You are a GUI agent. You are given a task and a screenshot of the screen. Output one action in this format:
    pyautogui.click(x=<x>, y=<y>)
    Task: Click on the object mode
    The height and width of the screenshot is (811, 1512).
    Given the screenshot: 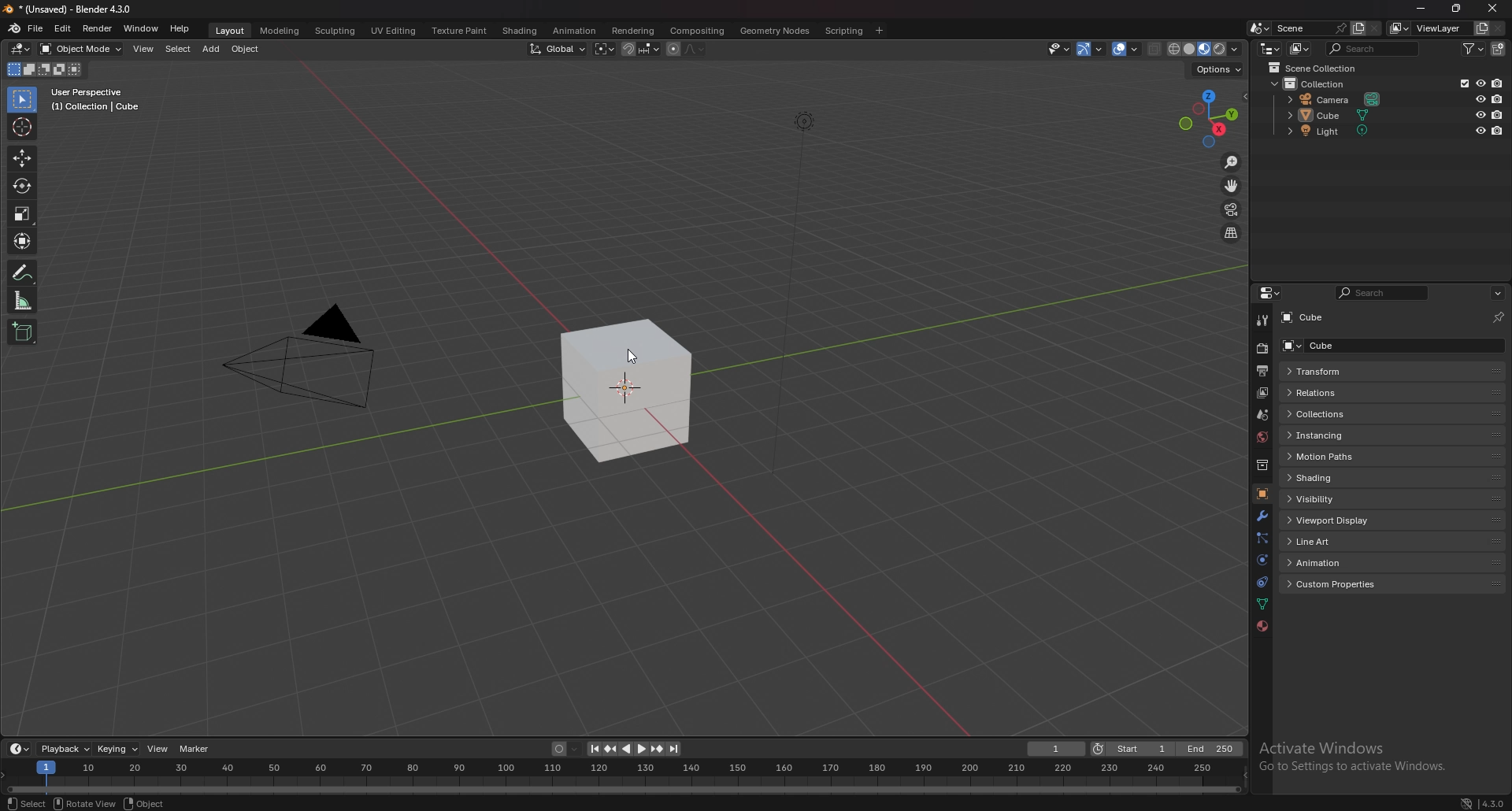 What is the action you would take?
    pyautogui.click(x=82, y=49)
    